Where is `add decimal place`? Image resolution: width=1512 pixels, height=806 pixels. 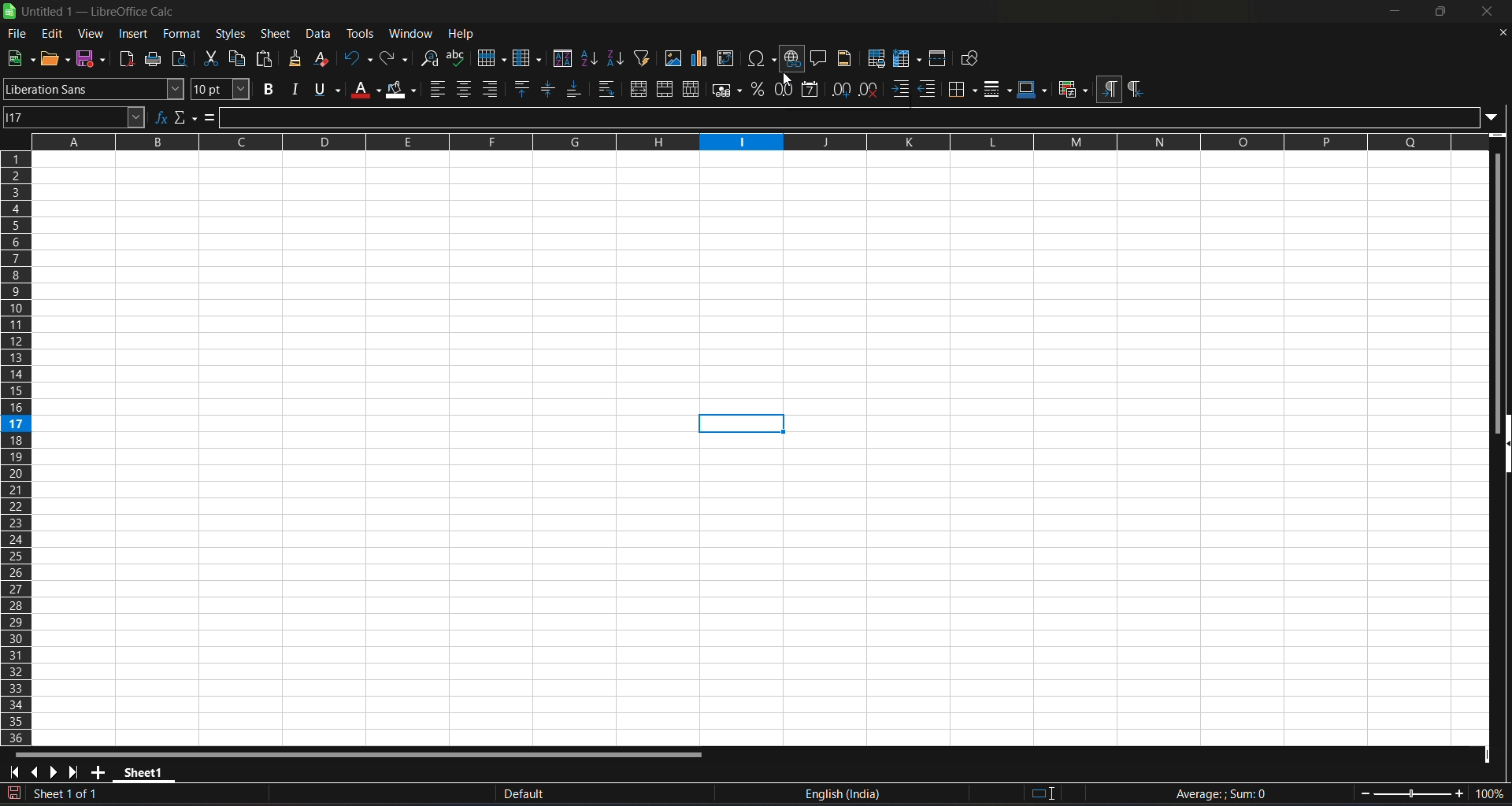 add decimal place is located at coordinates (839, 89).